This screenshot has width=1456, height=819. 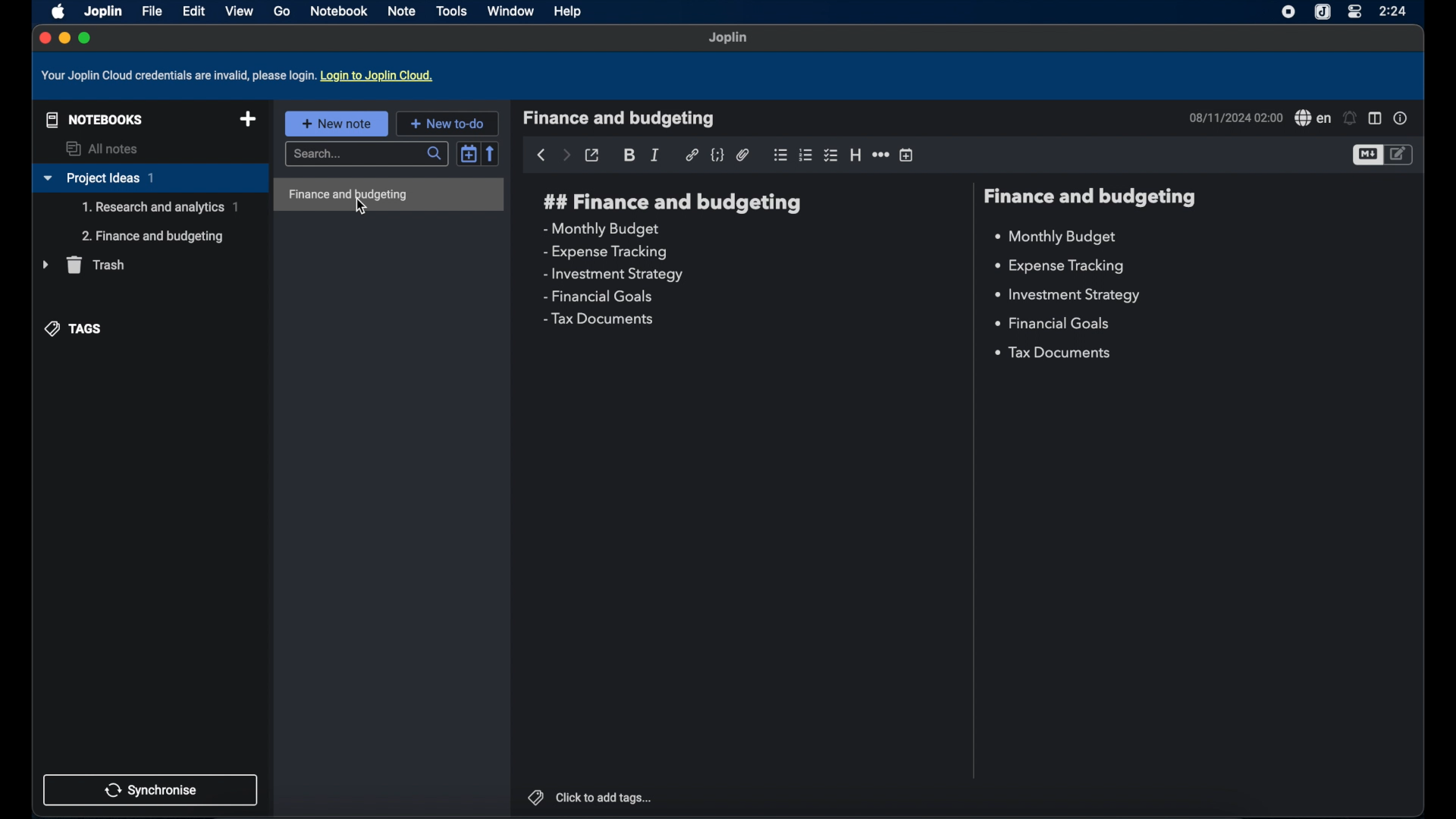 What do you see at coordinates (336, 123) in the screenshot?
I see `new note` at bounding box center [336, 123].